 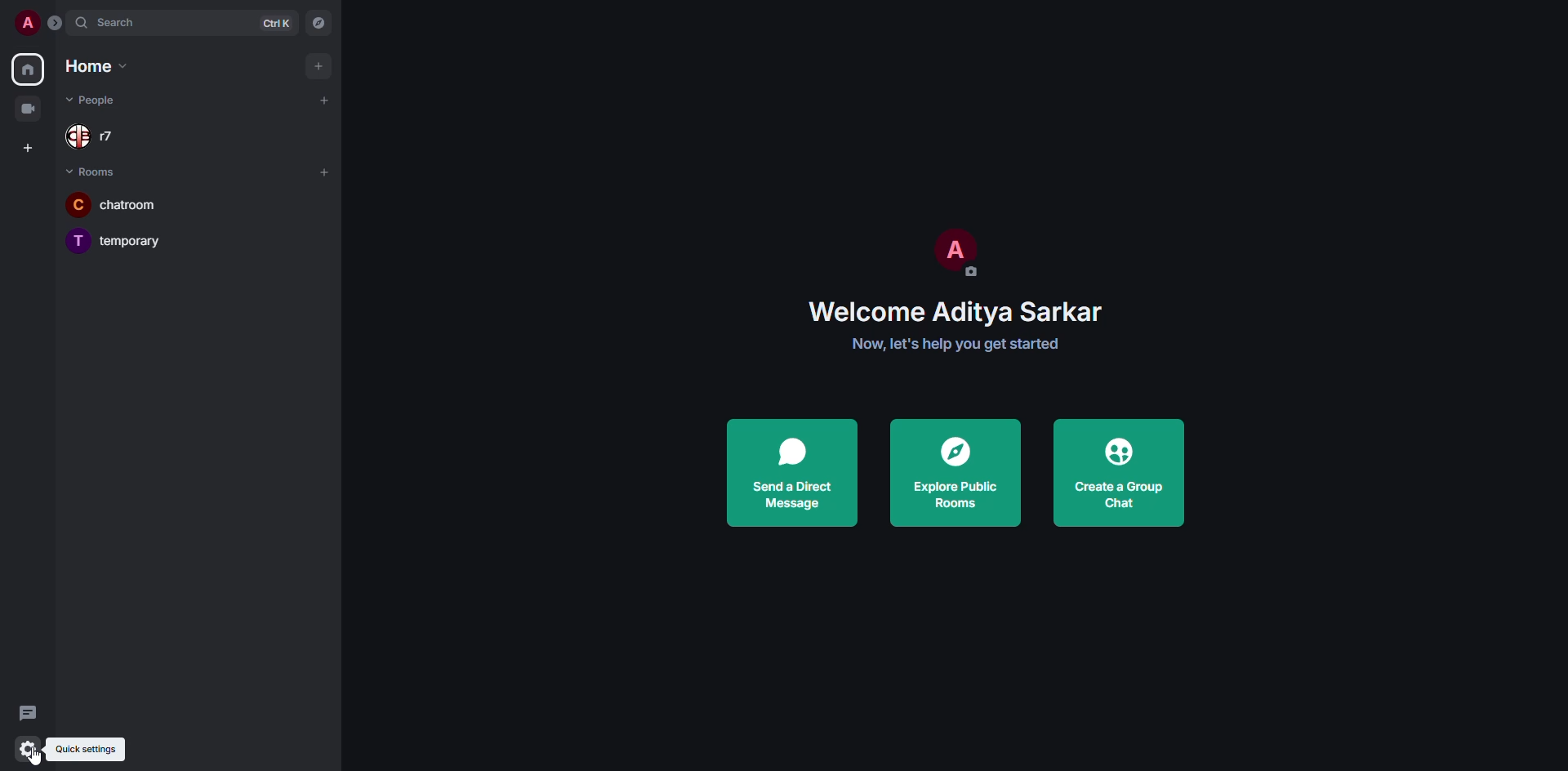 What do you see at coordinates (316, 65) in the screenshot?
I see `add` at bounding box center [316, 65].